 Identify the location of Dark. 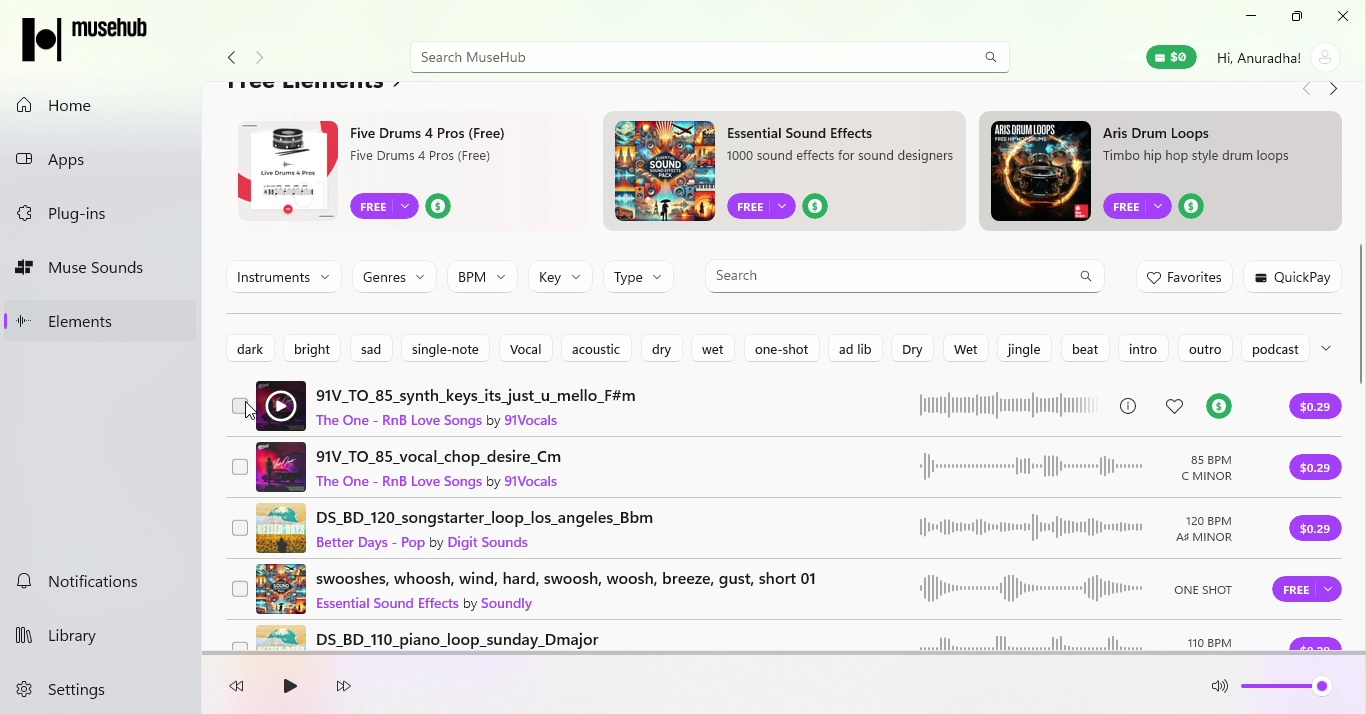
(248, 346).